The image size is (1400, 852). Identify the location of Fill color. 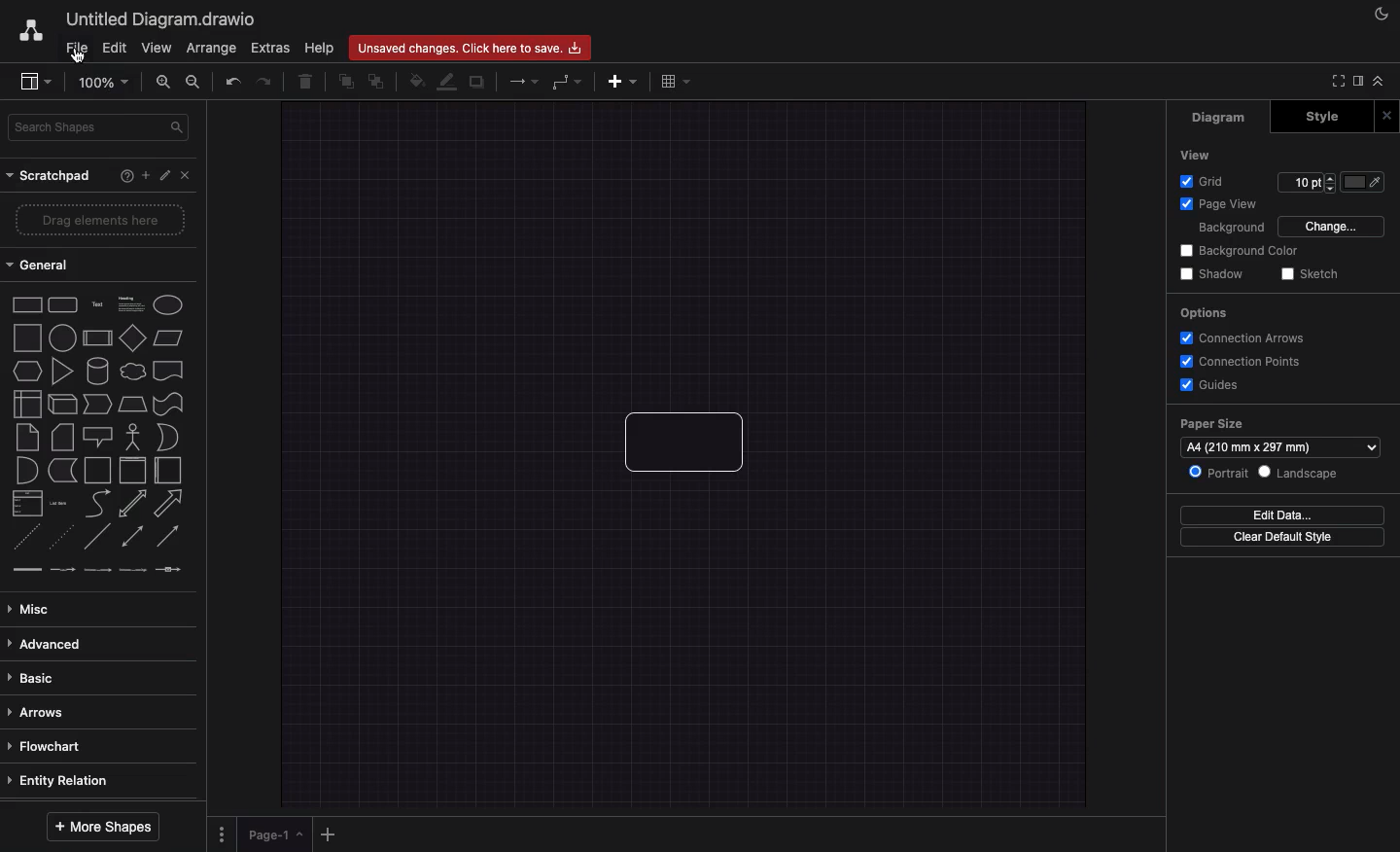
(419, 81).